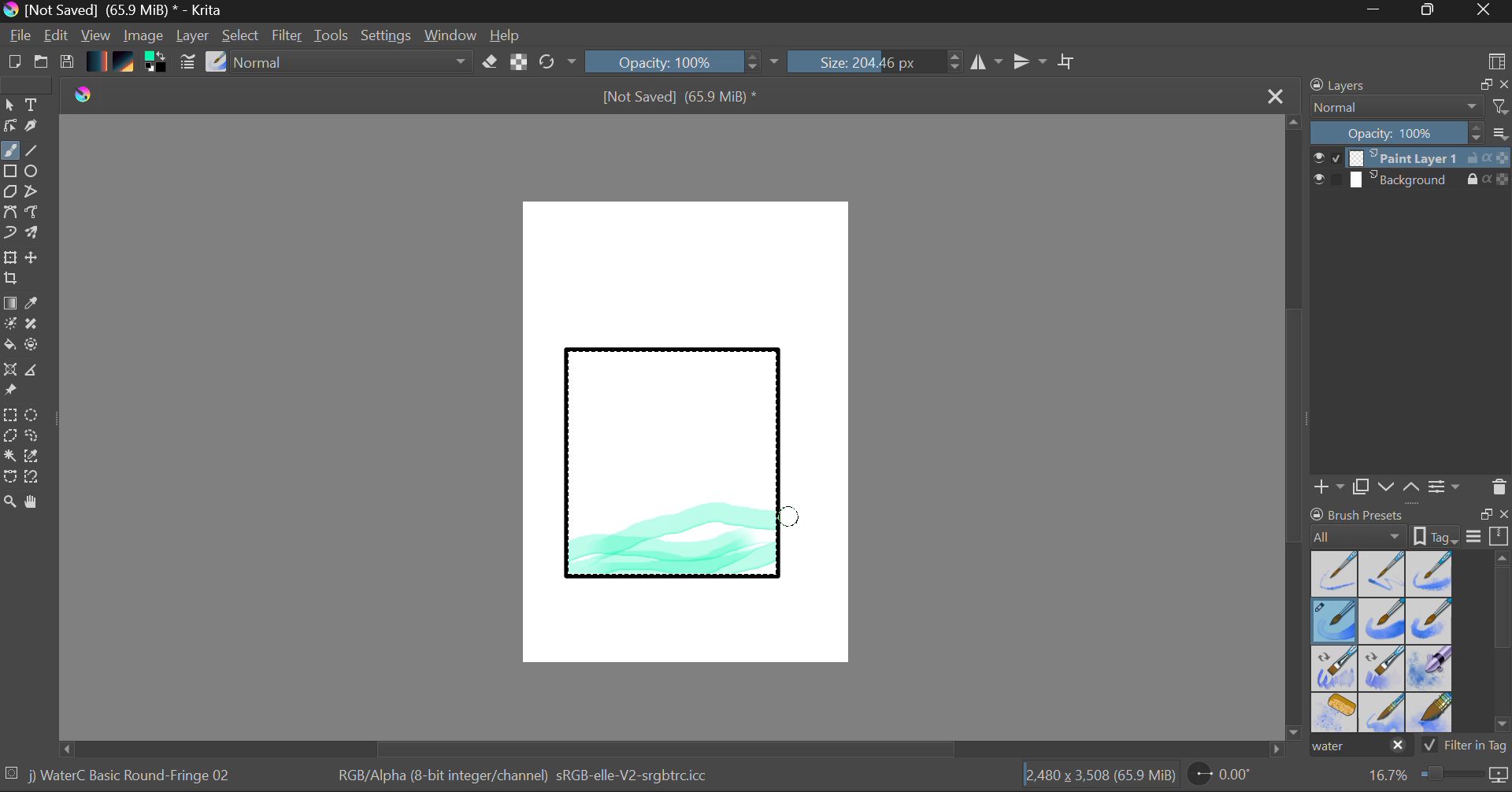 This screenshot has height=792, width=1512. What do you see at coordinates (1499, 487) in the screenshot?
I see `Delete Layer` at bounding box center [1499, 487].